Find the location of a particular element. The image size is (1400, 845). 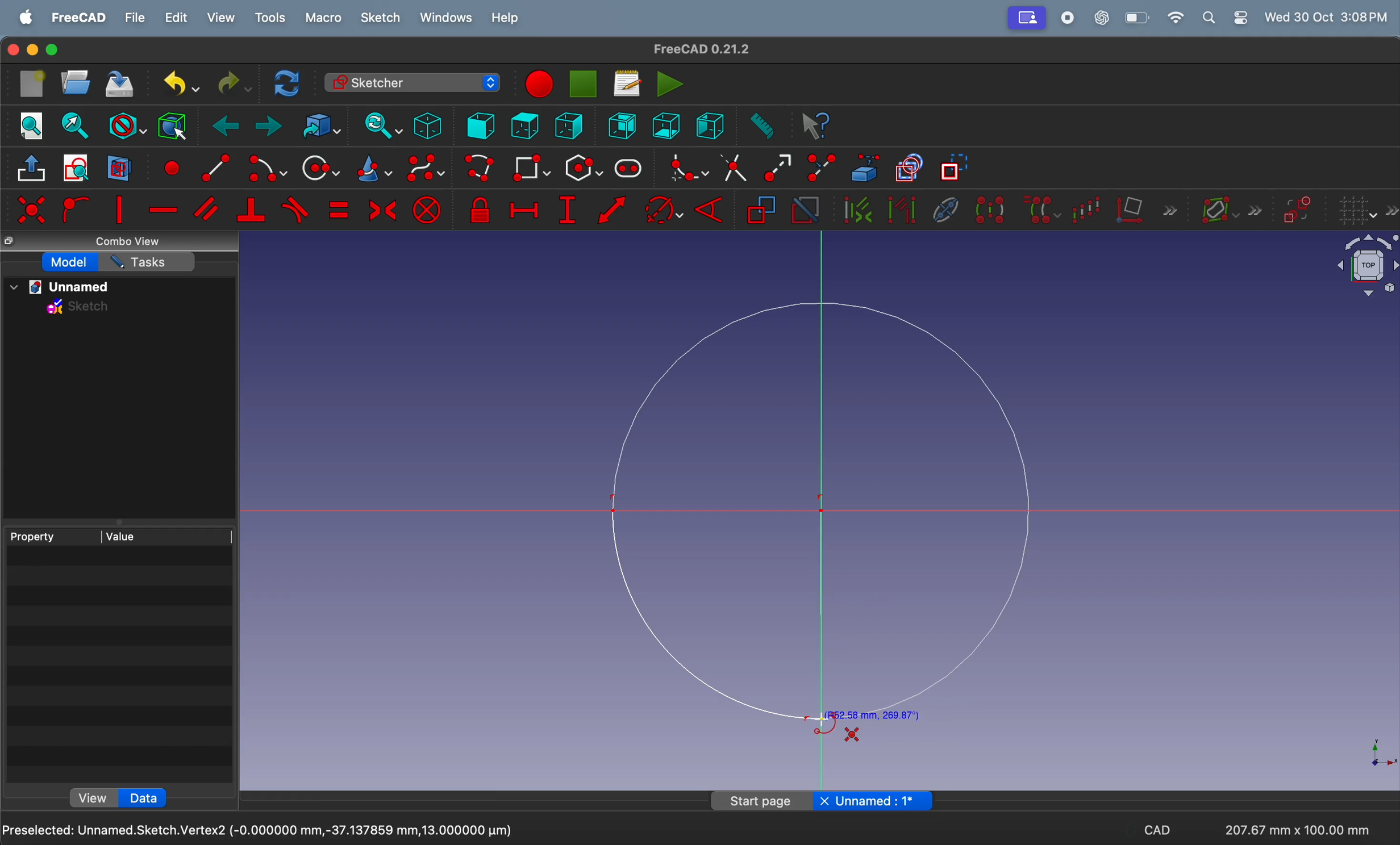

shape is located at coordinates (852, 734).